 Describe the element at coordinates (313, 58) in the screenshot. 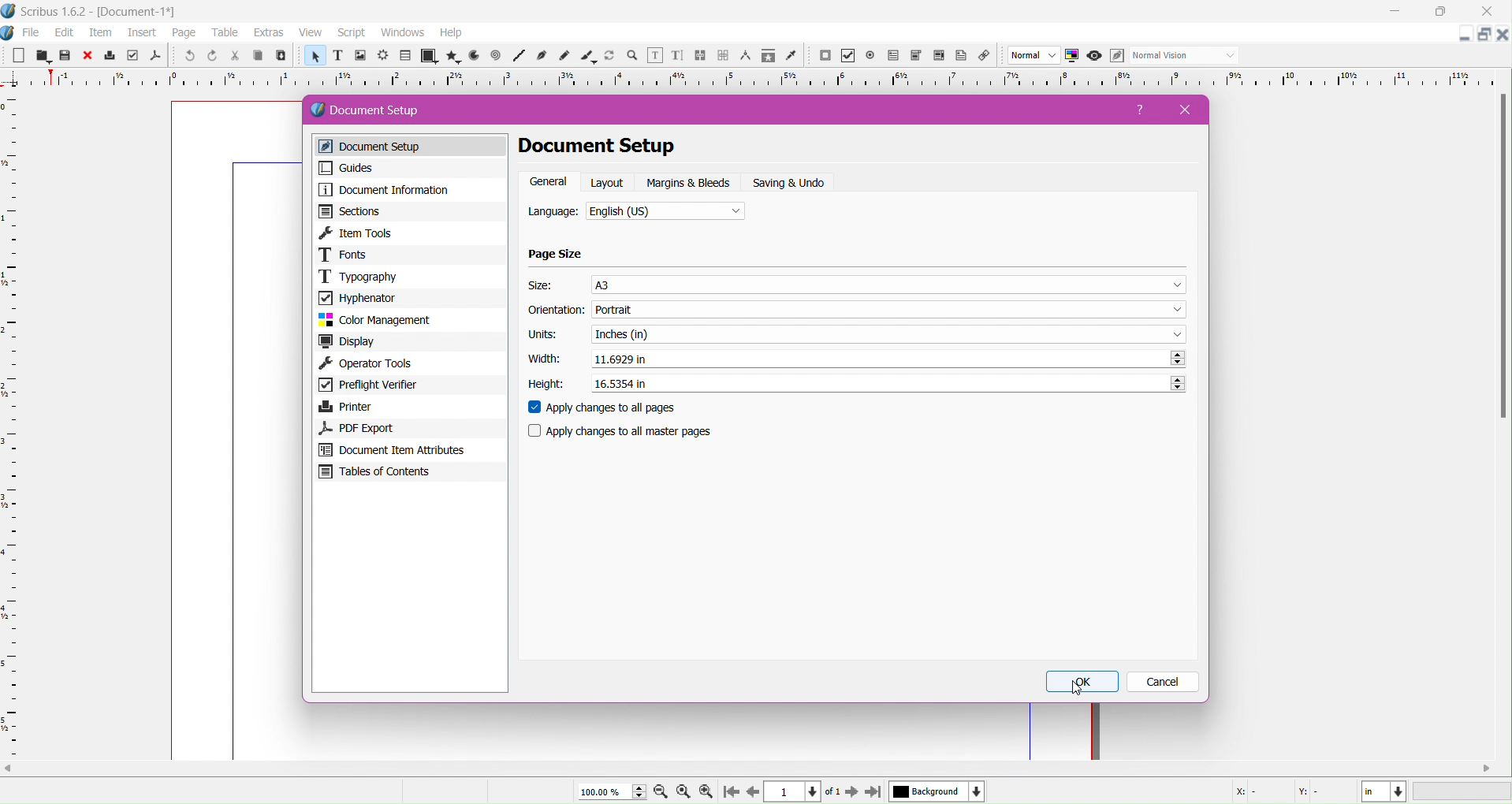

I see `select` at that location.